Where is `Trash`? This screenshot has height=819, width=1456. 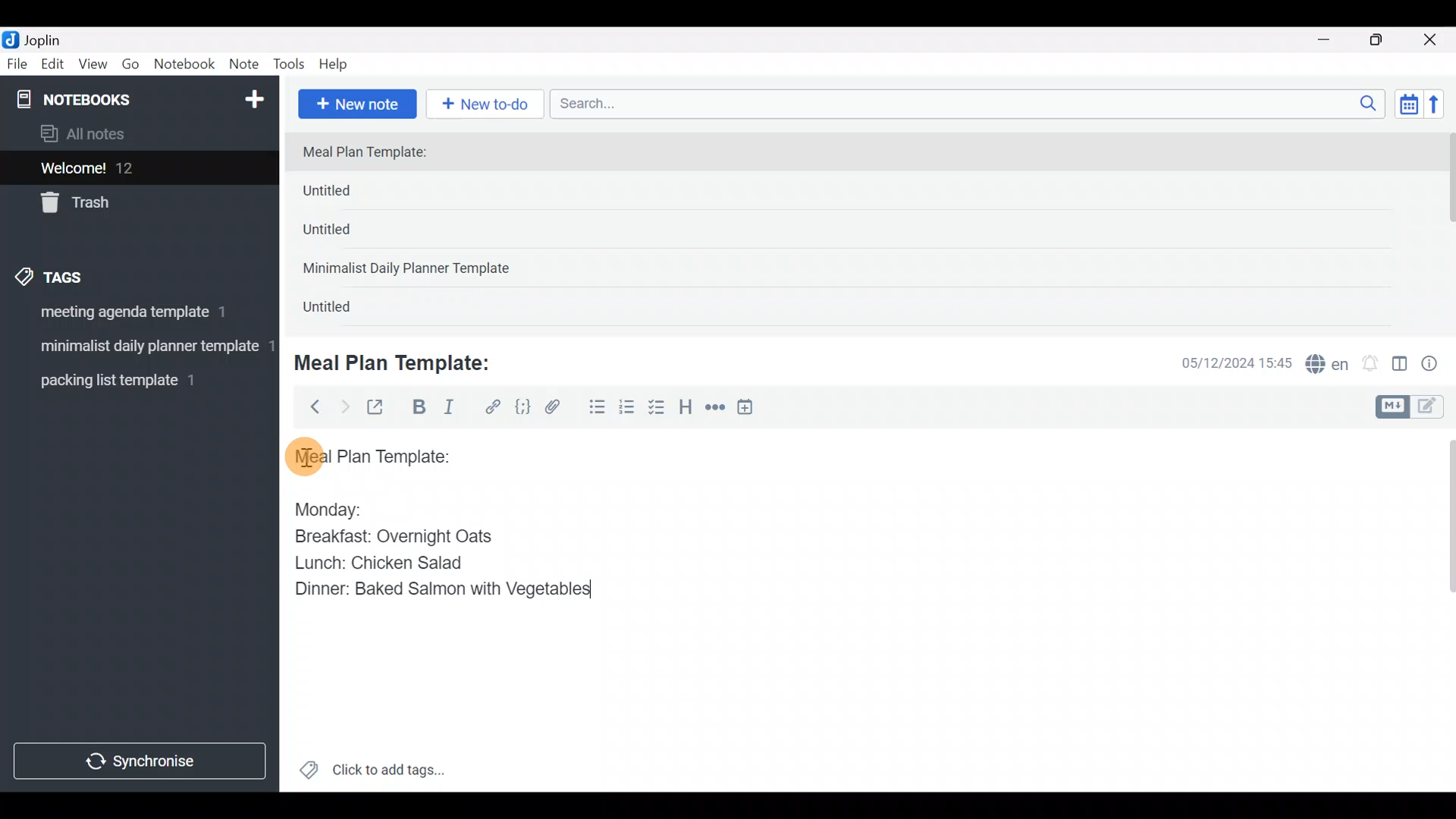
Trash is located at coordinates (130, 204).